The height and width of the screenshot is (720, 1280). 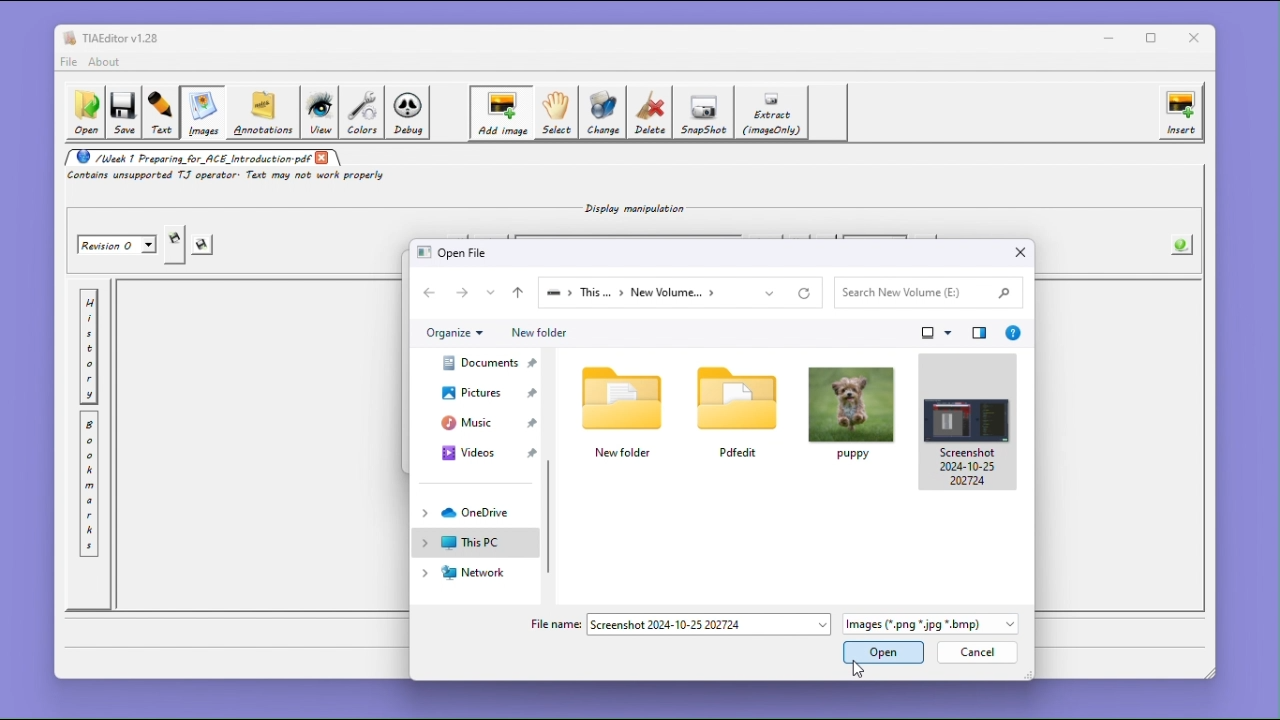 I want to click on History, so click(x=89, y=347).